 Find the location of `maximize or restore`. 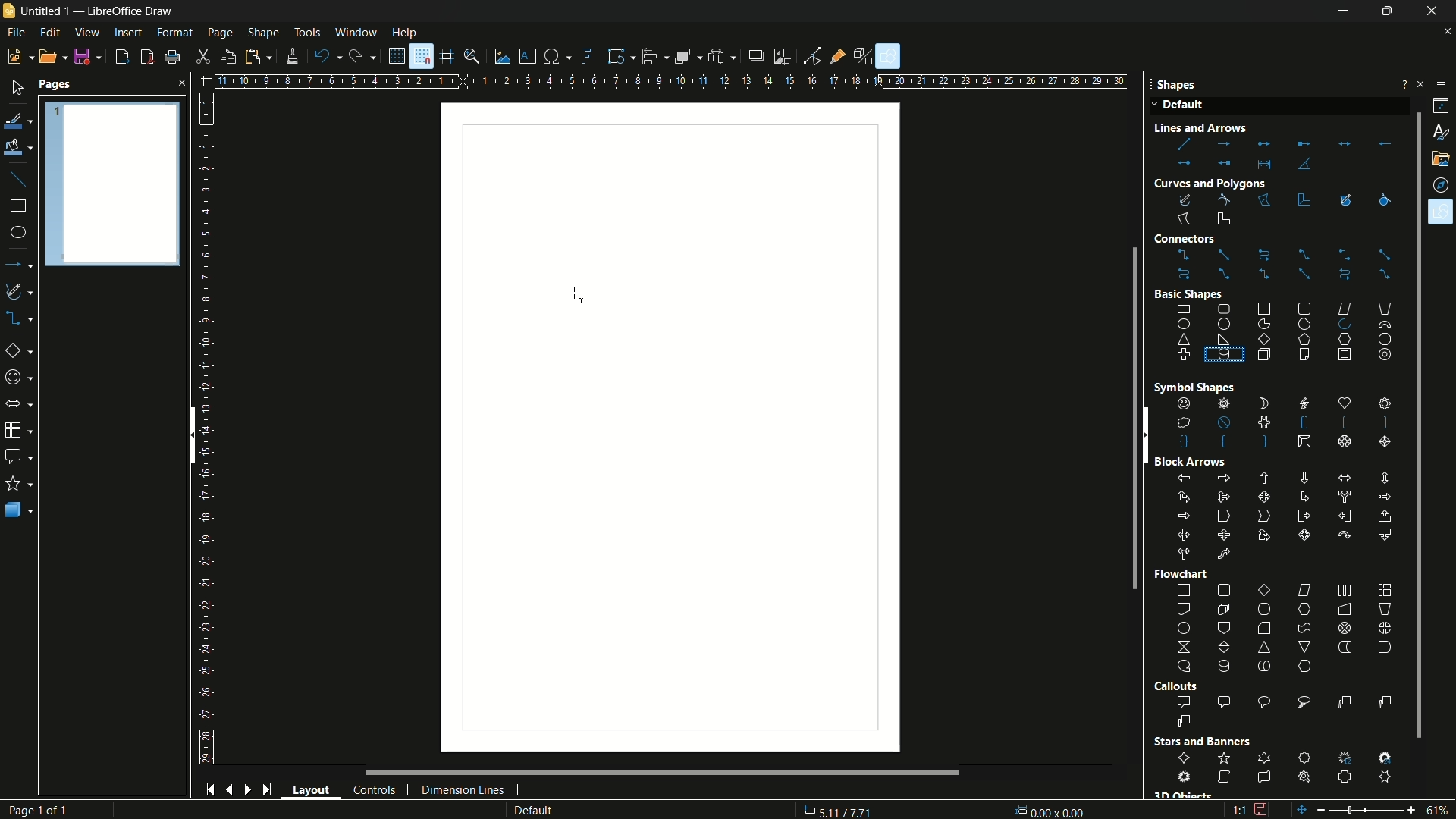

maximize or restore is located at coordinates (1391, 11).